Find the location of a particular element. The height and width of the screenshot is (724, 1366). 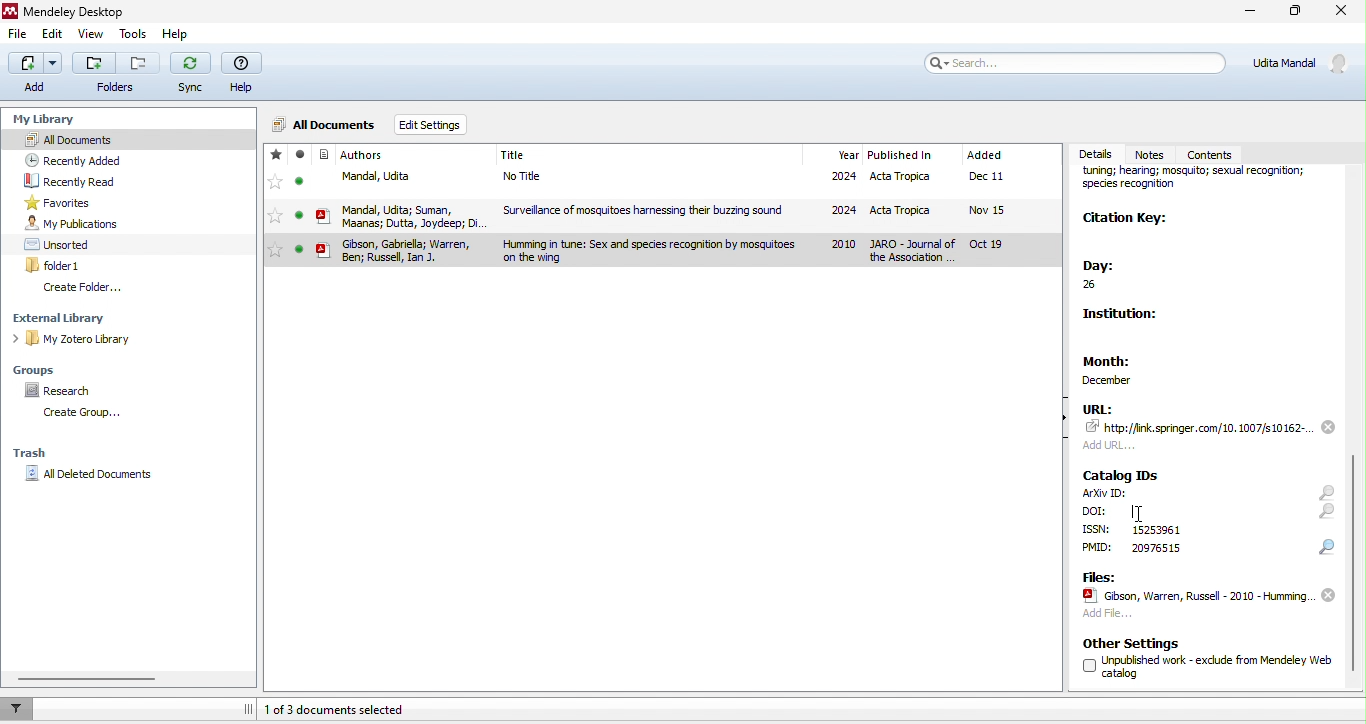

files is located at coordinates (1098, 576).